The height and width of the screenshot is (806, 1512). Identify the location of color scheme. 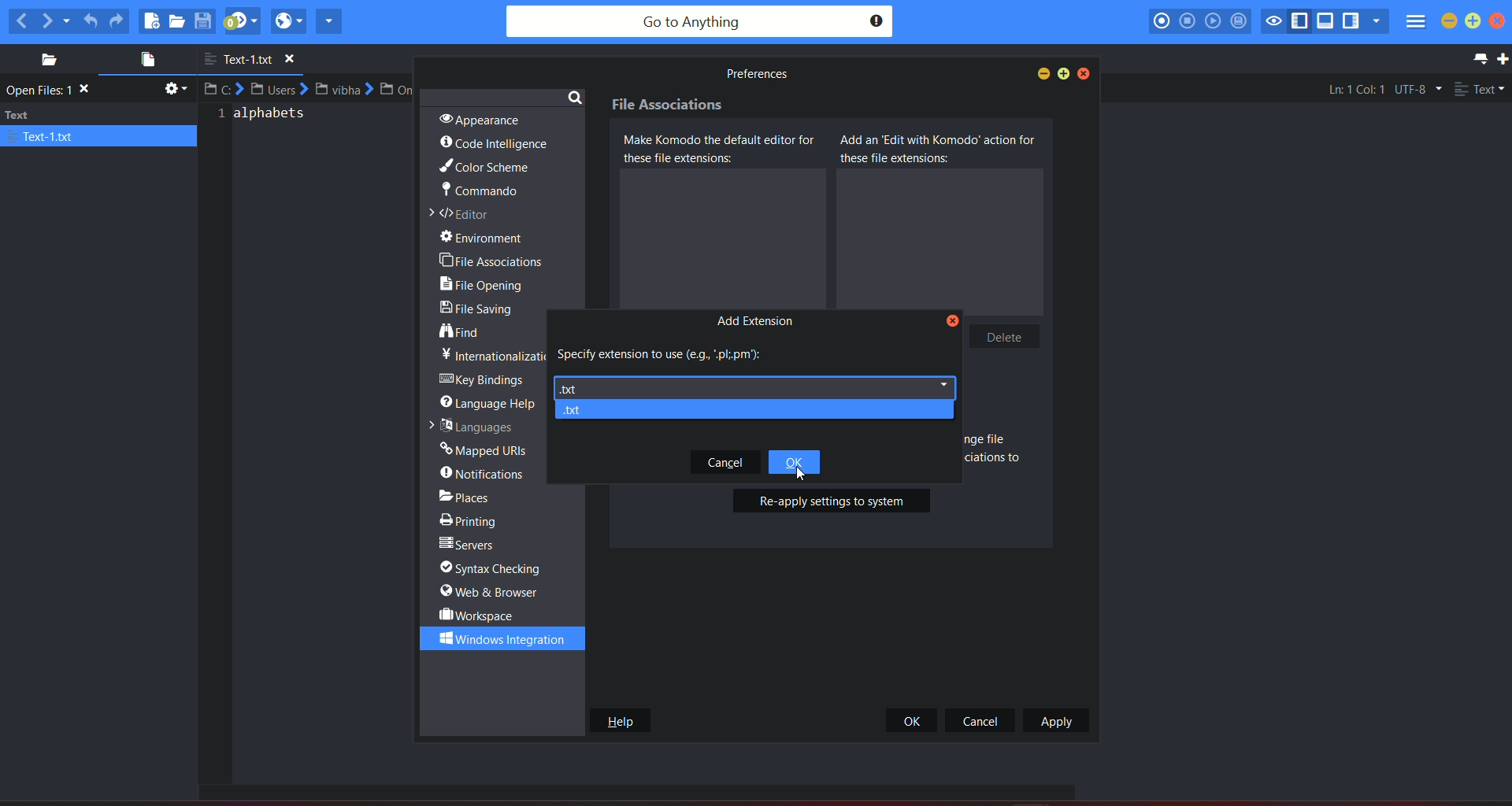
(483, 168).